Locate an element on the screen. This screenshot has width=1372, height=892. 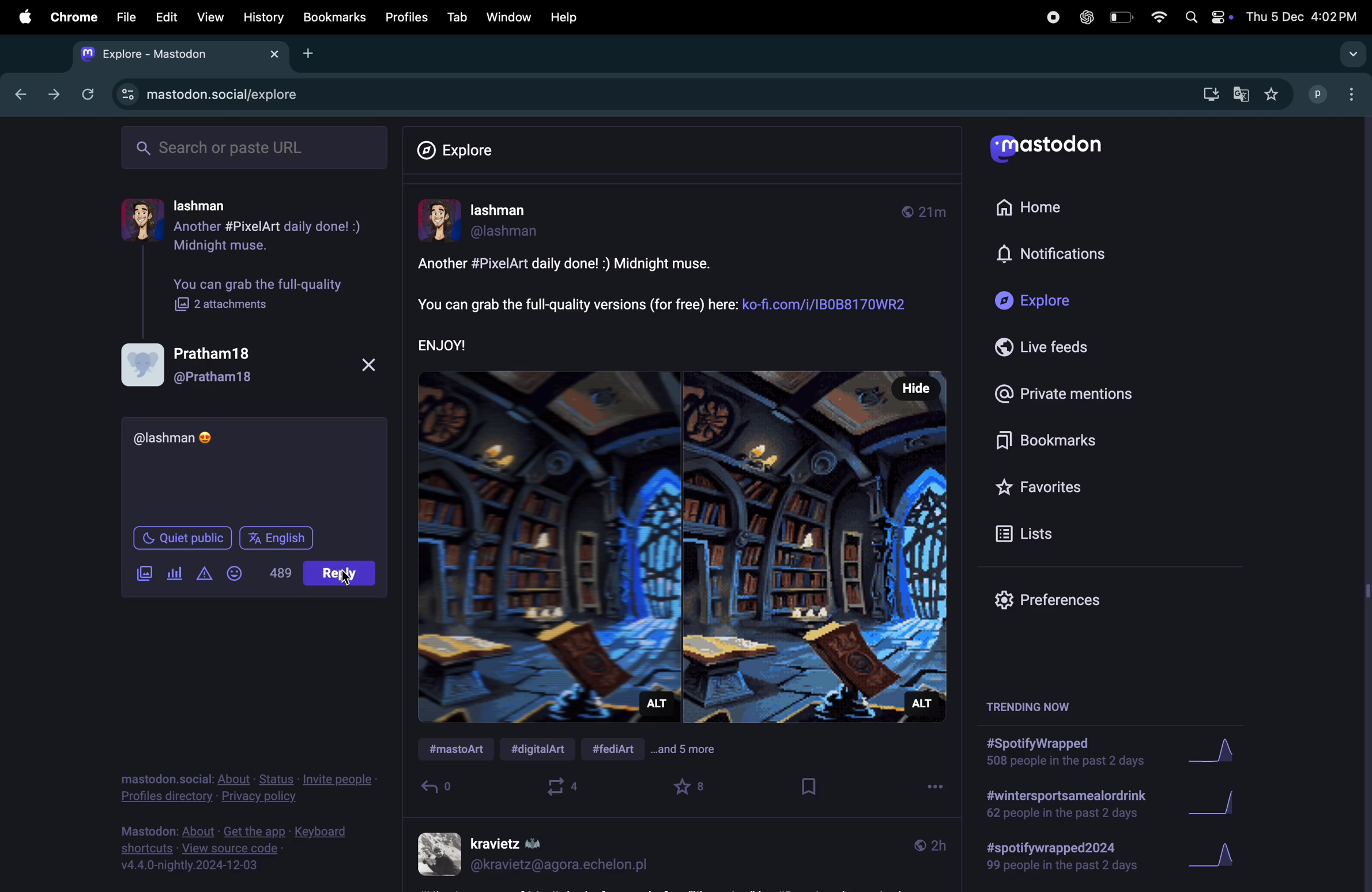
Explore is located at coordinates (1063, 304).